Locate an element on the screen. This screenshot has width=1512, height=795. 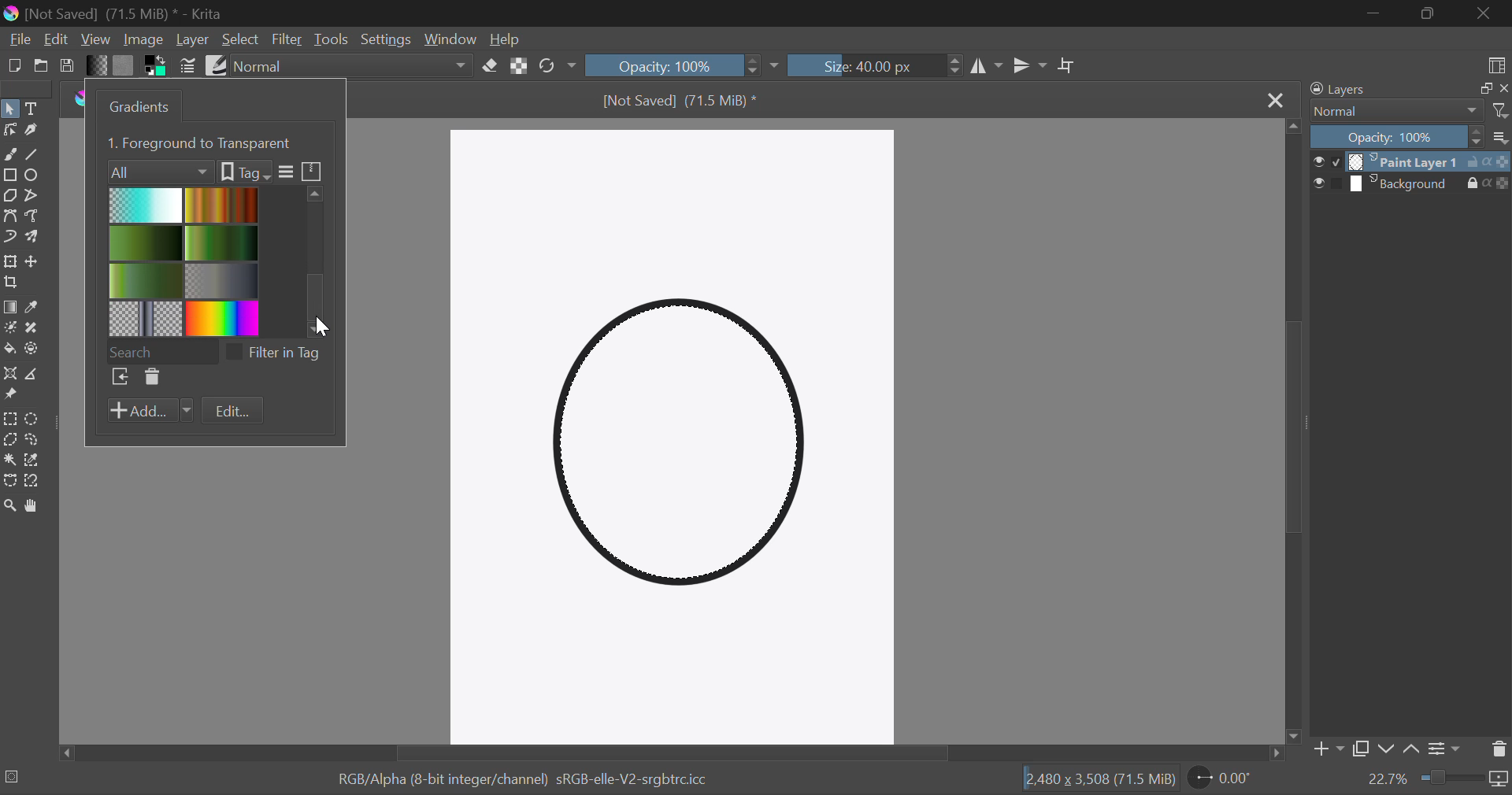
Enclose and Fill is located at coordinates (37, 349).